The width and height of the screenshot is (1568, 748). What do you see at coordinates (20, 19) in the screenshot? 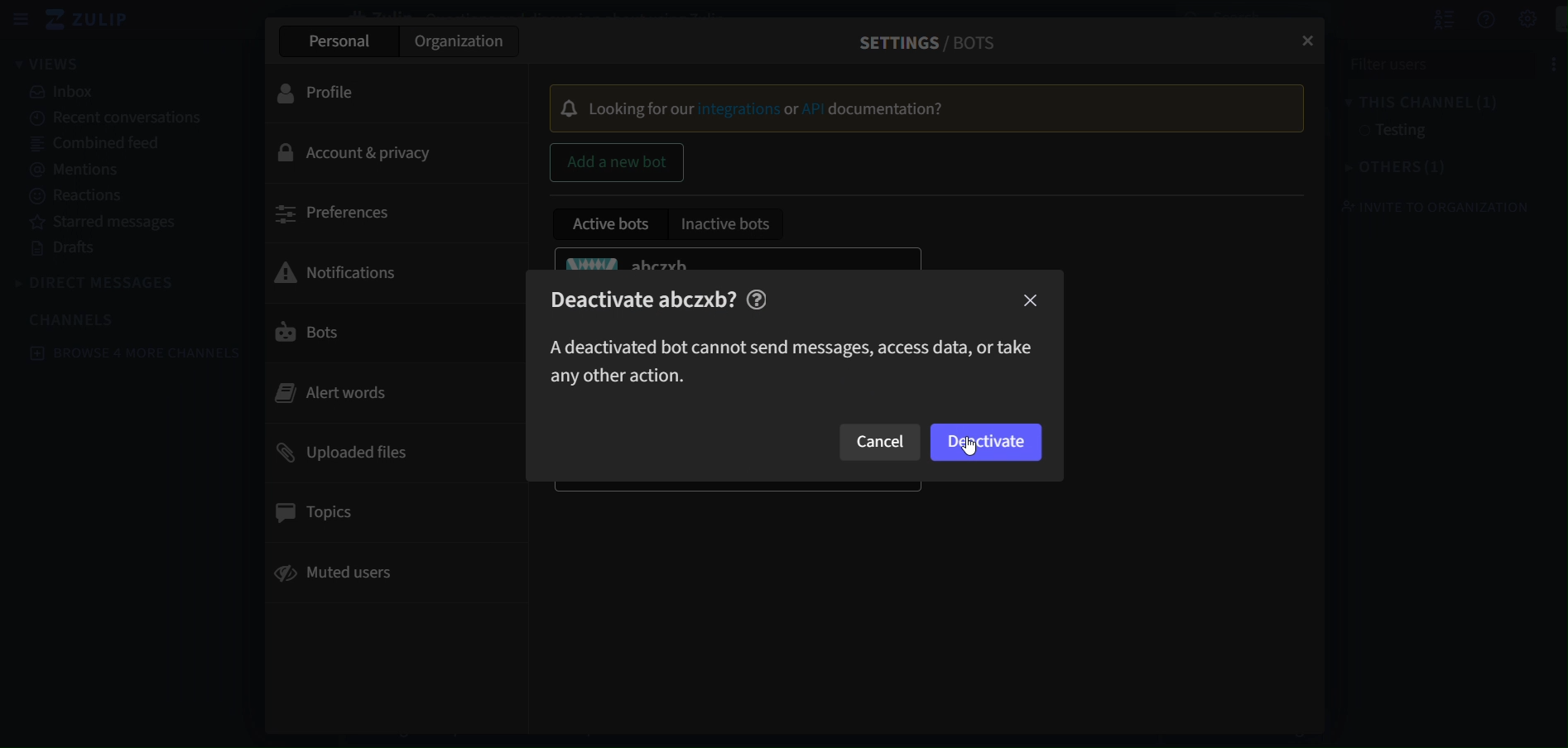
I see `sidebar` at bounding box center [20, 19].